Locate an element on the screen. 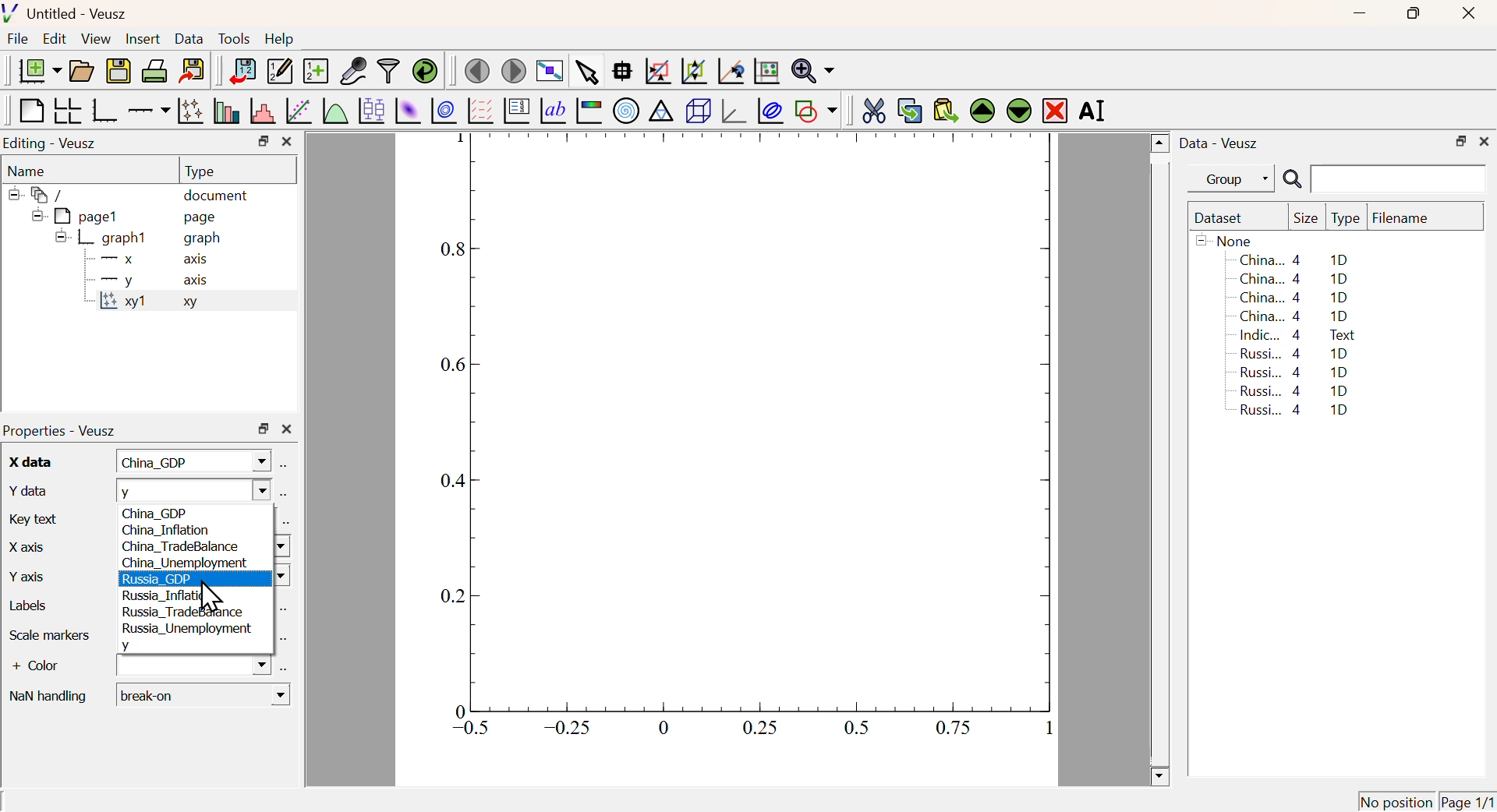  Dropdown is located at coordinates (281, 575).